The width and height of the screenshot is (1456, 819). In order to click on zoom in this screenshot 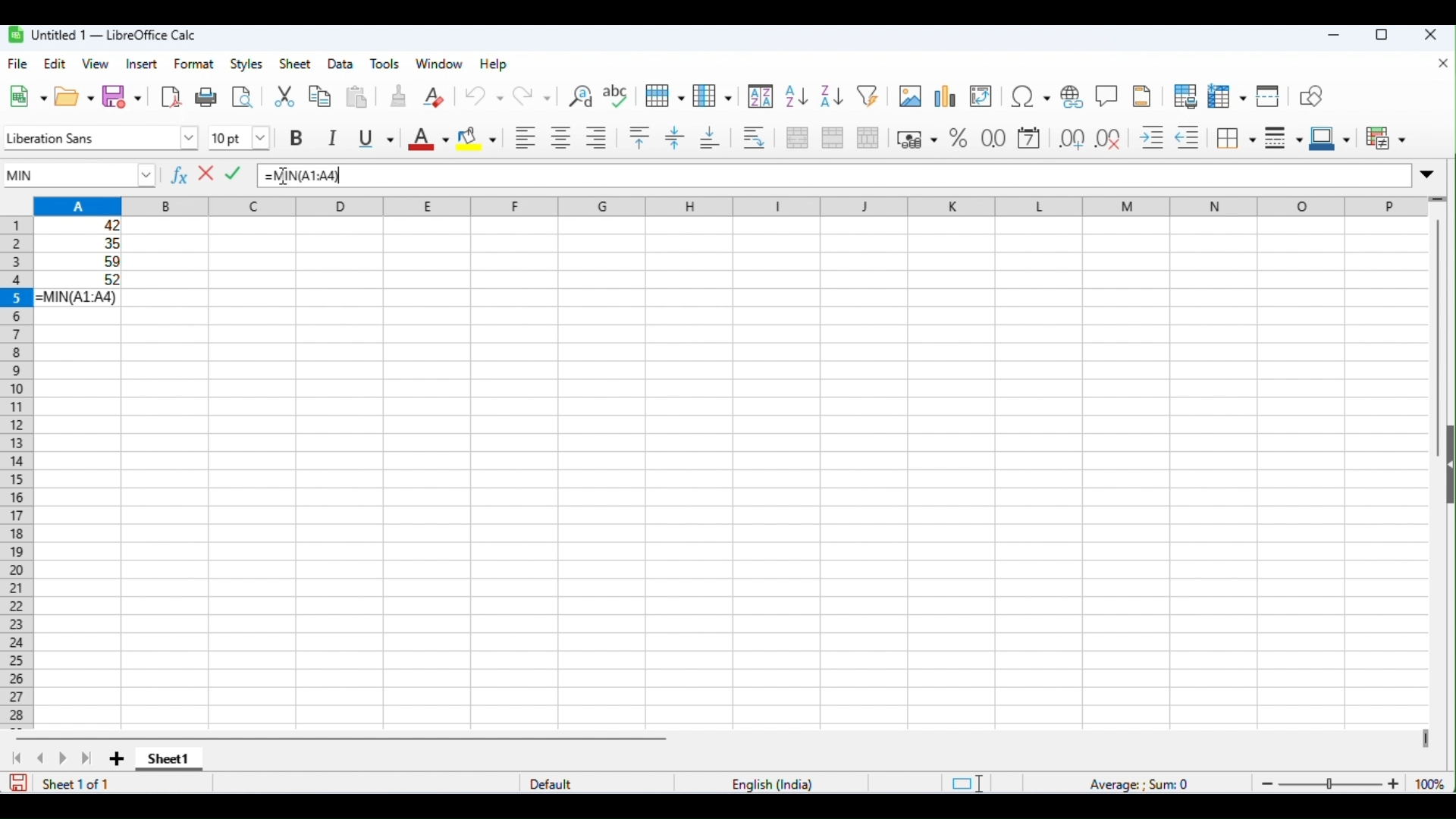, I will do `click(1352, 783)`.